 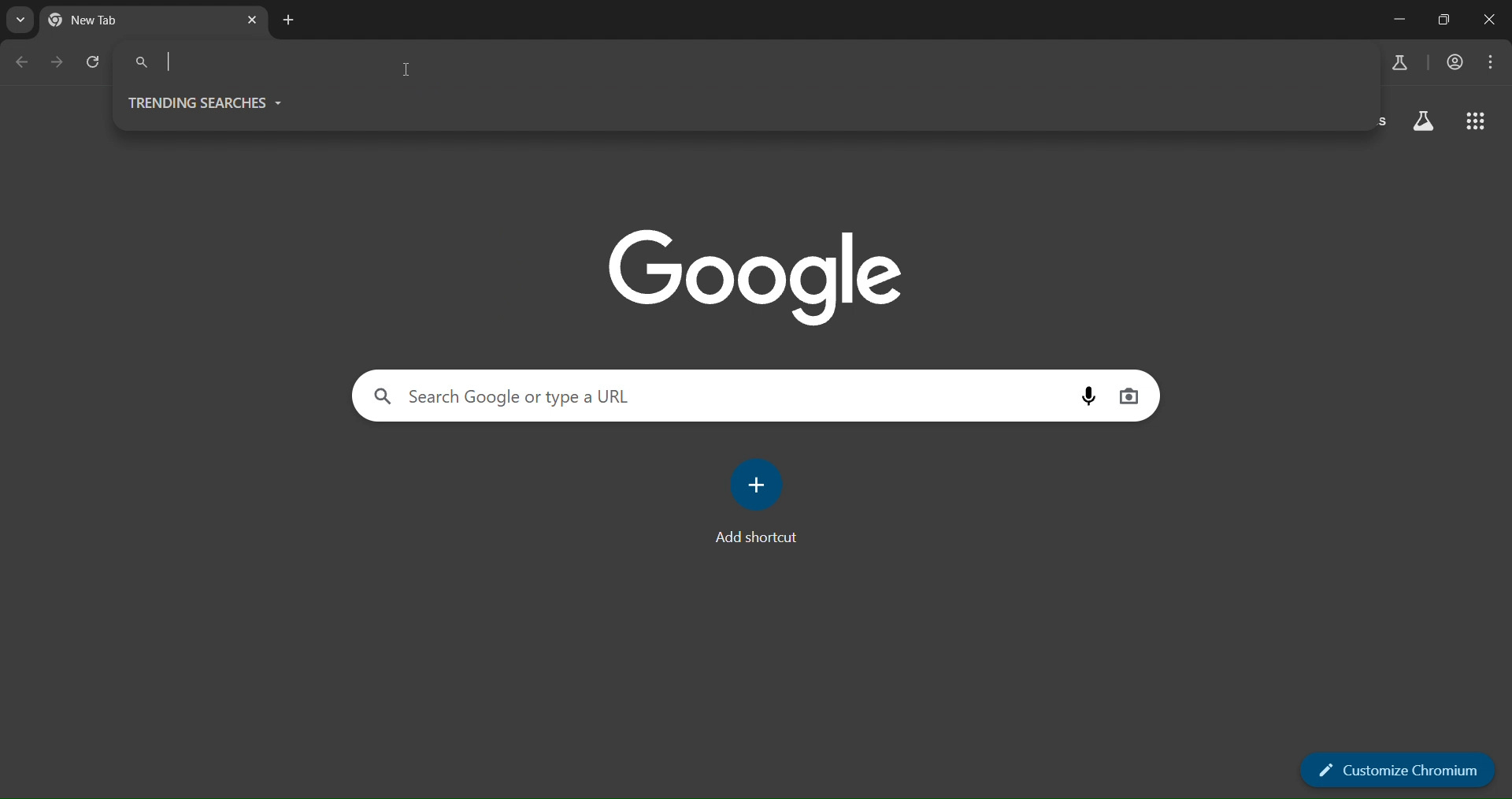 What do you see at coordinates (18, 20) in the screenshot?
I see `search tabs` at bounding box center [18, 20].